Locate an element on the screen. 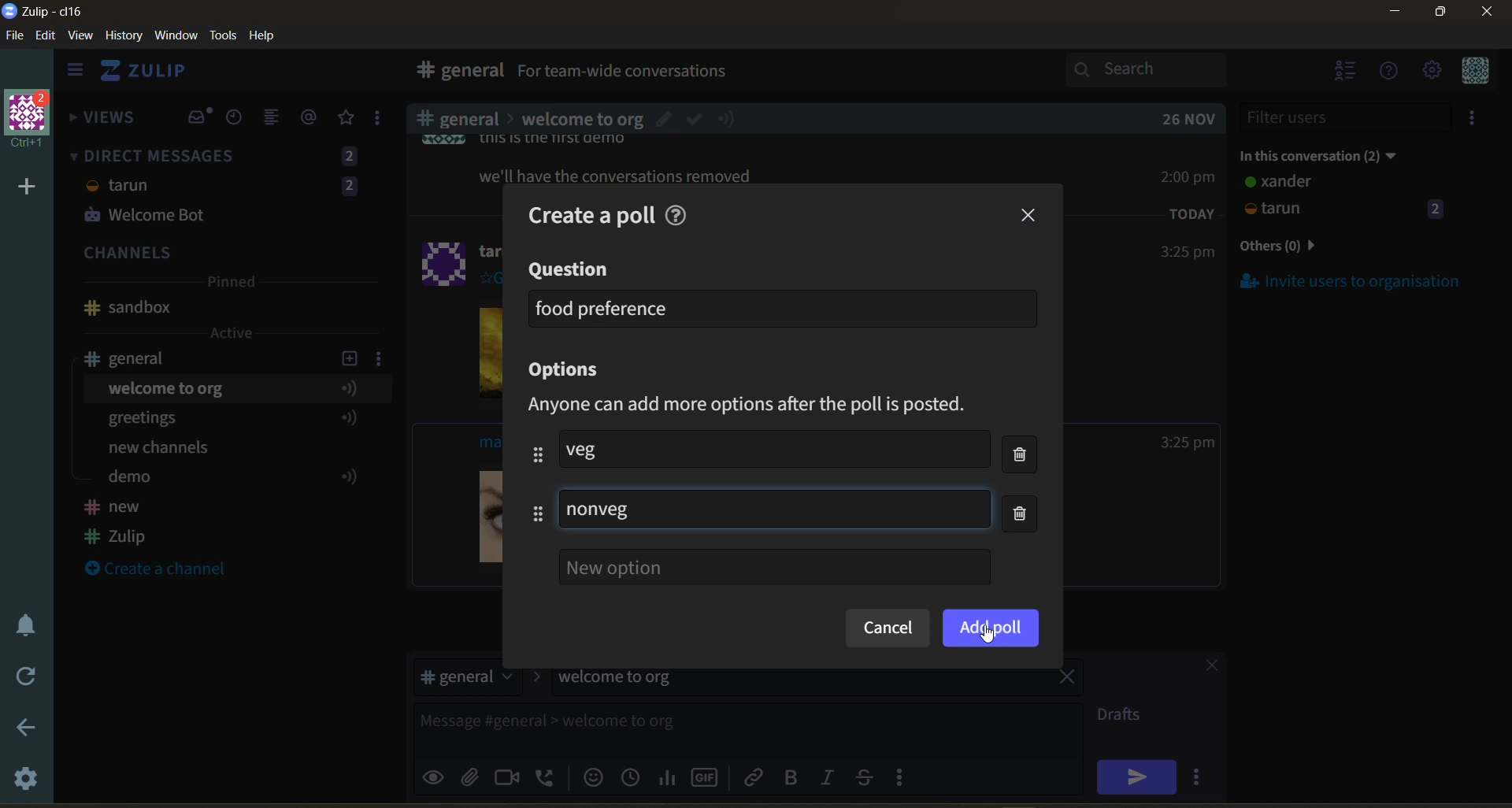 The width and height of the screenshot is (1512, 808). link is located at coordinates (755, 776).